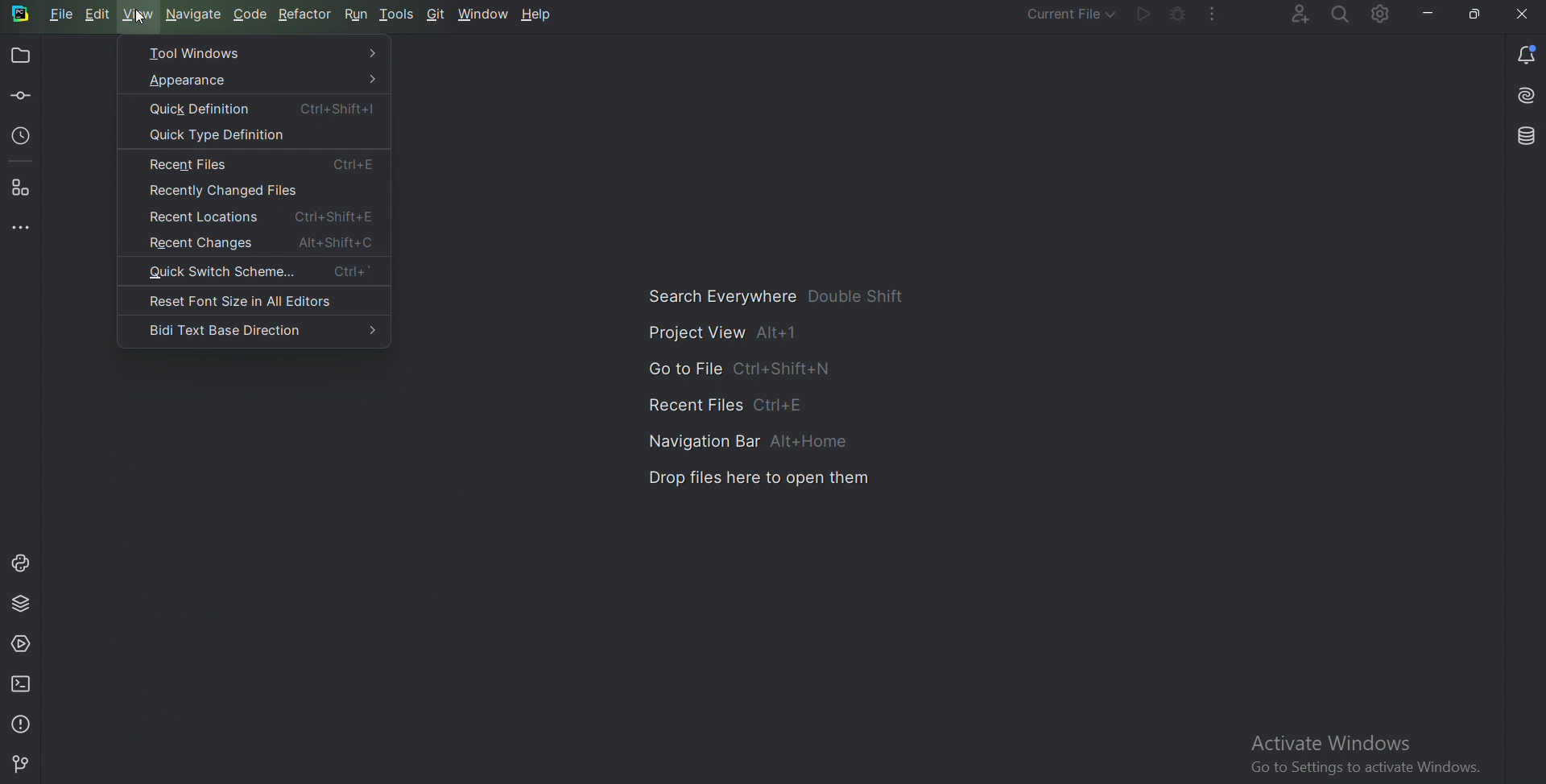 The image size is (1546, 784). Describe the element at coordinates (23, 97) in the screenshot. I see `Commit` at that location.